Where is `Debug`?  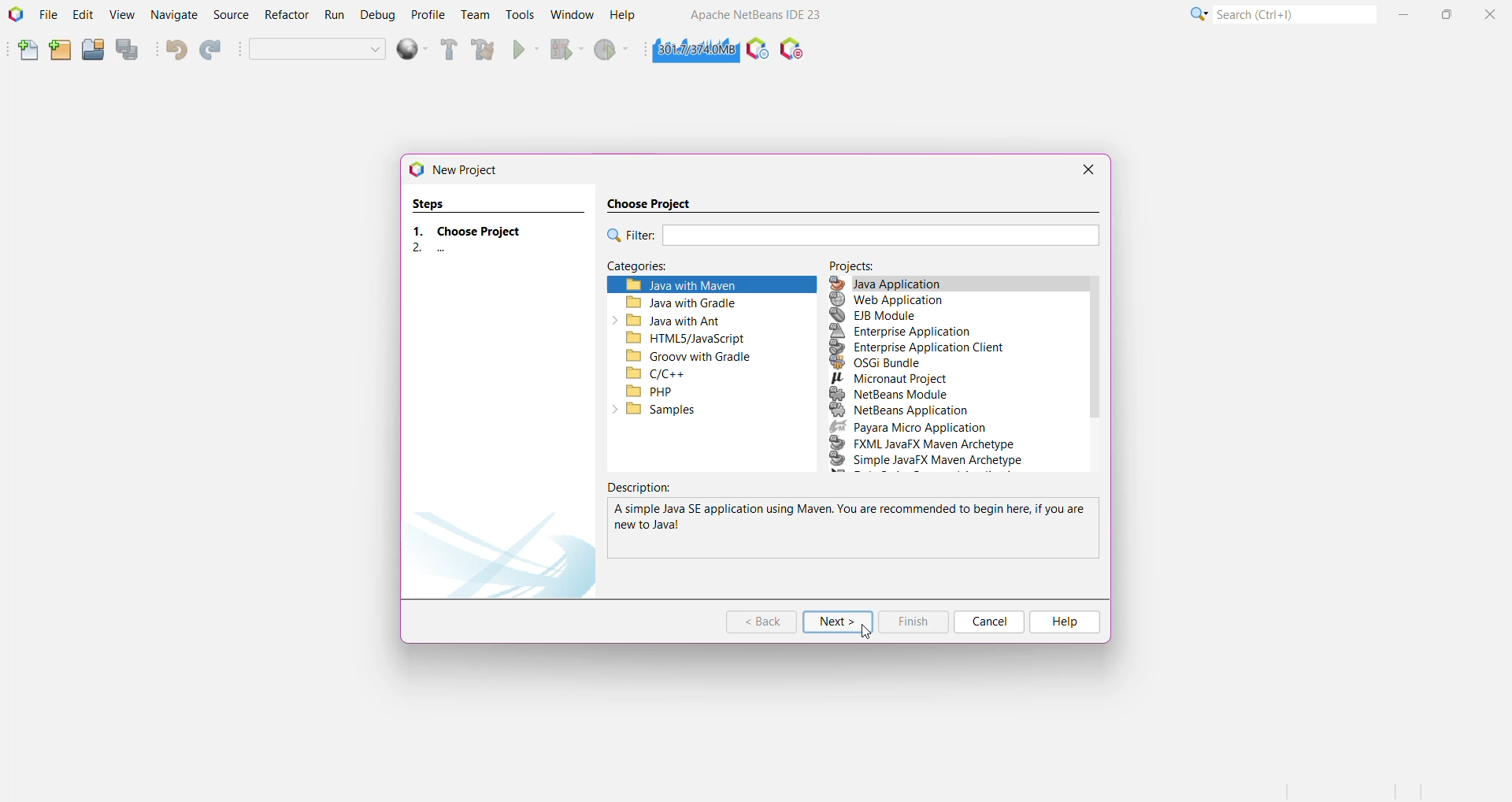
Debug is located at coordinates (377, 16).